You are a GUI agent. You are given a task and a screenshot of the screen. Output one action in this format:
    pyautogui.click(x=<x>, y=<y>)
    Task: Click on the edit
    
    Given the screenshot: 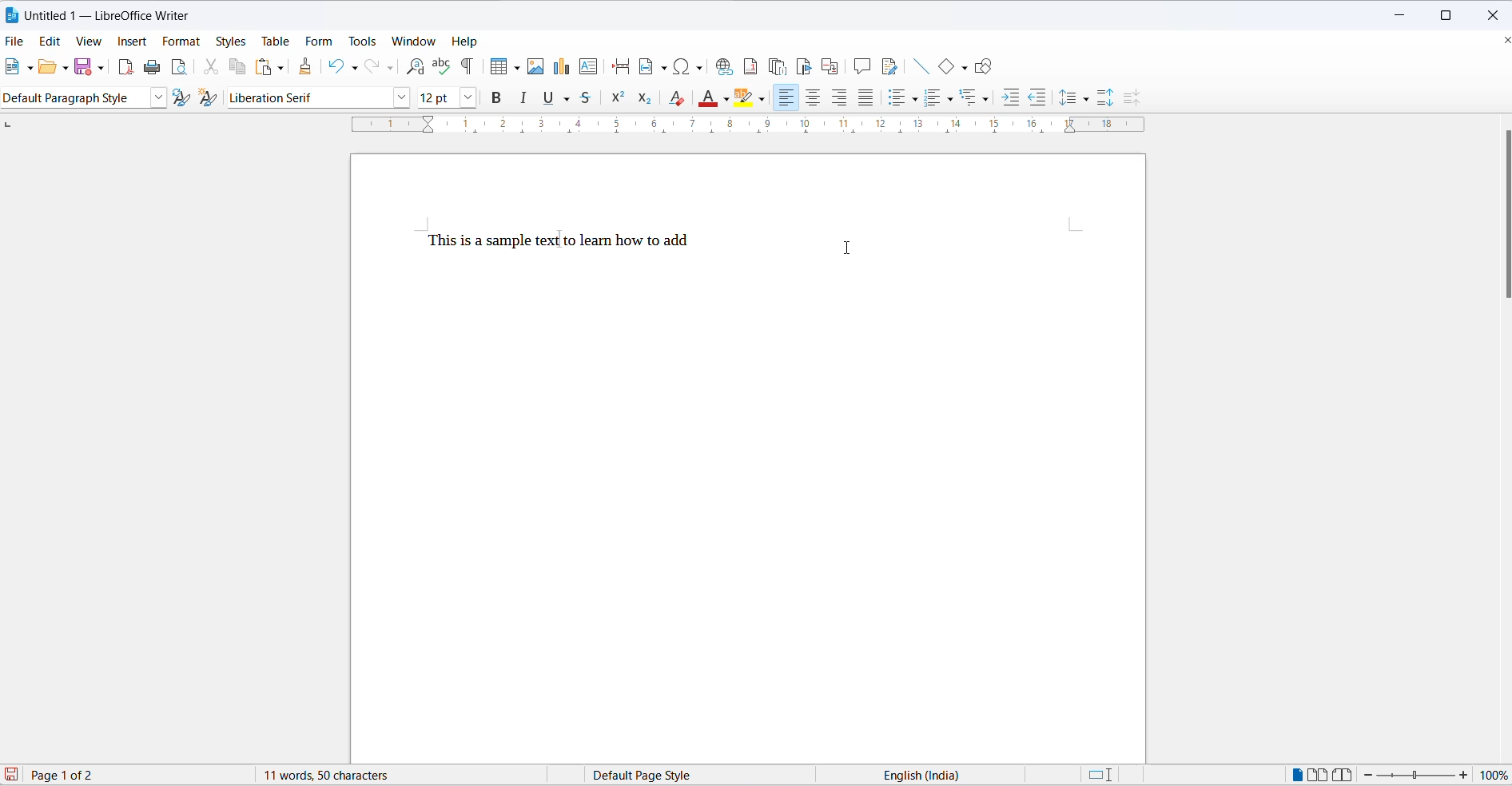 What is the action you would take?
    pyautogui.click(x=50, y=41)
    